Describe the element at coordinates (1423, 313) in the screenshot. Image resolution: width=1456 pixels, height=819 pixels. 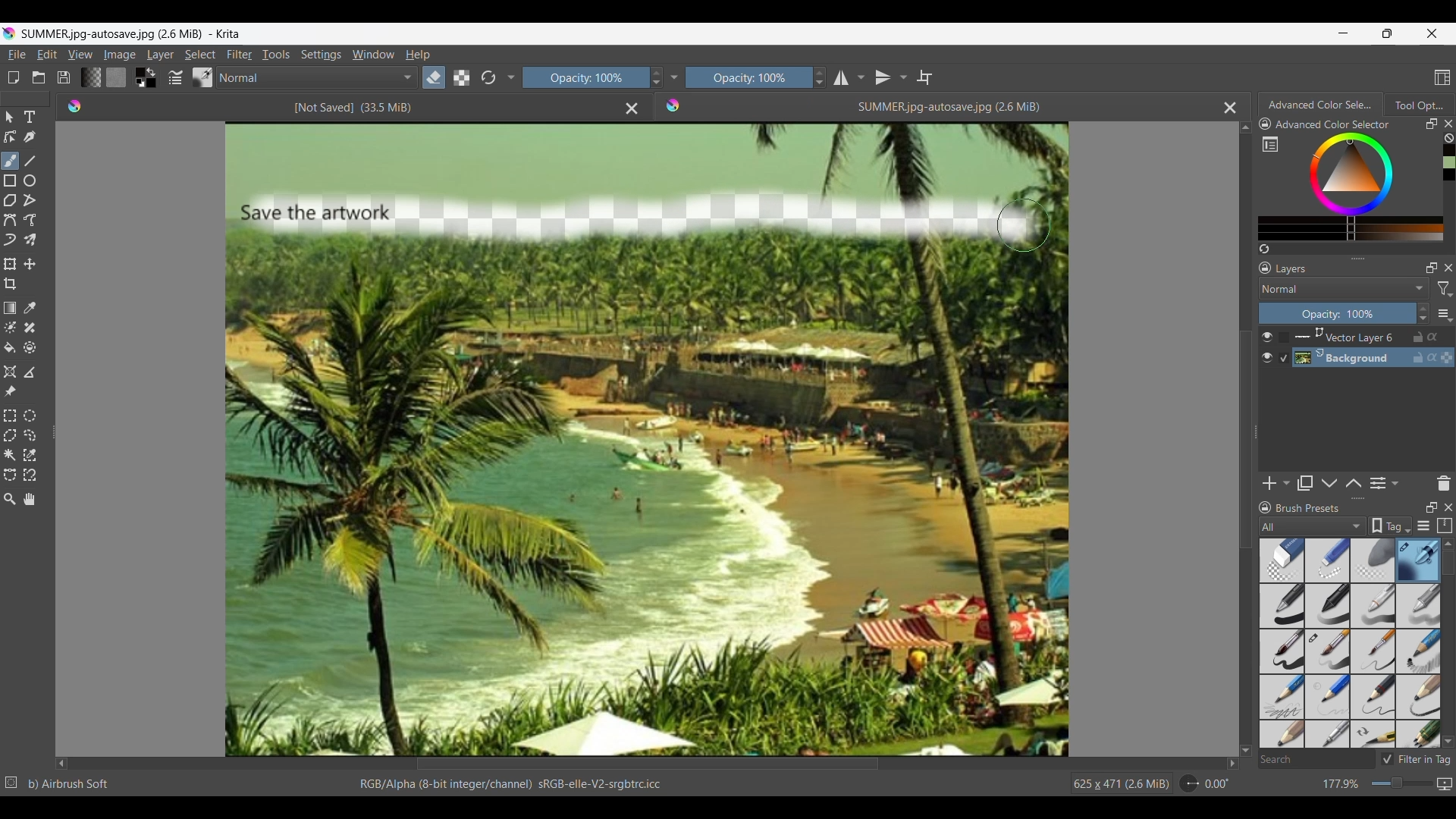
I see `Increase/Decrease opacity` at that location.